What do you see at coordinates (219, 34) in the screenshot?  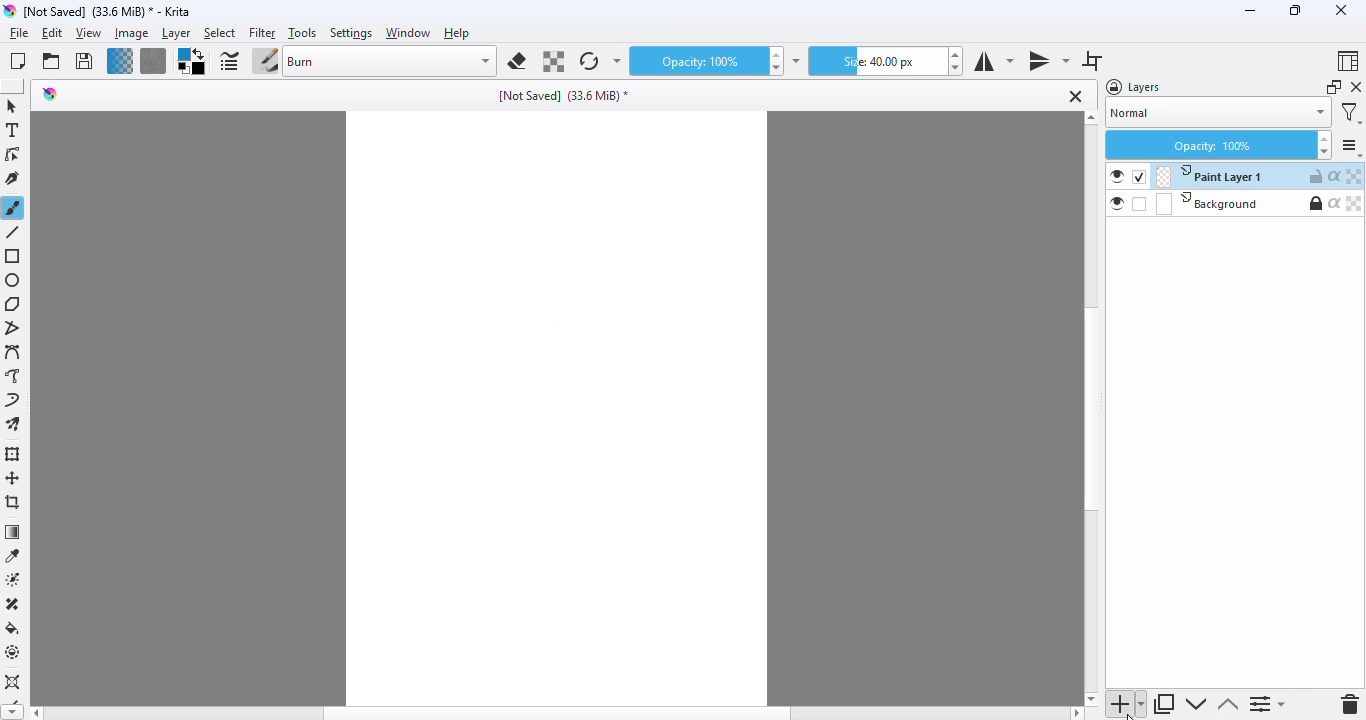 I see `select` at bounding box center [219, 34].